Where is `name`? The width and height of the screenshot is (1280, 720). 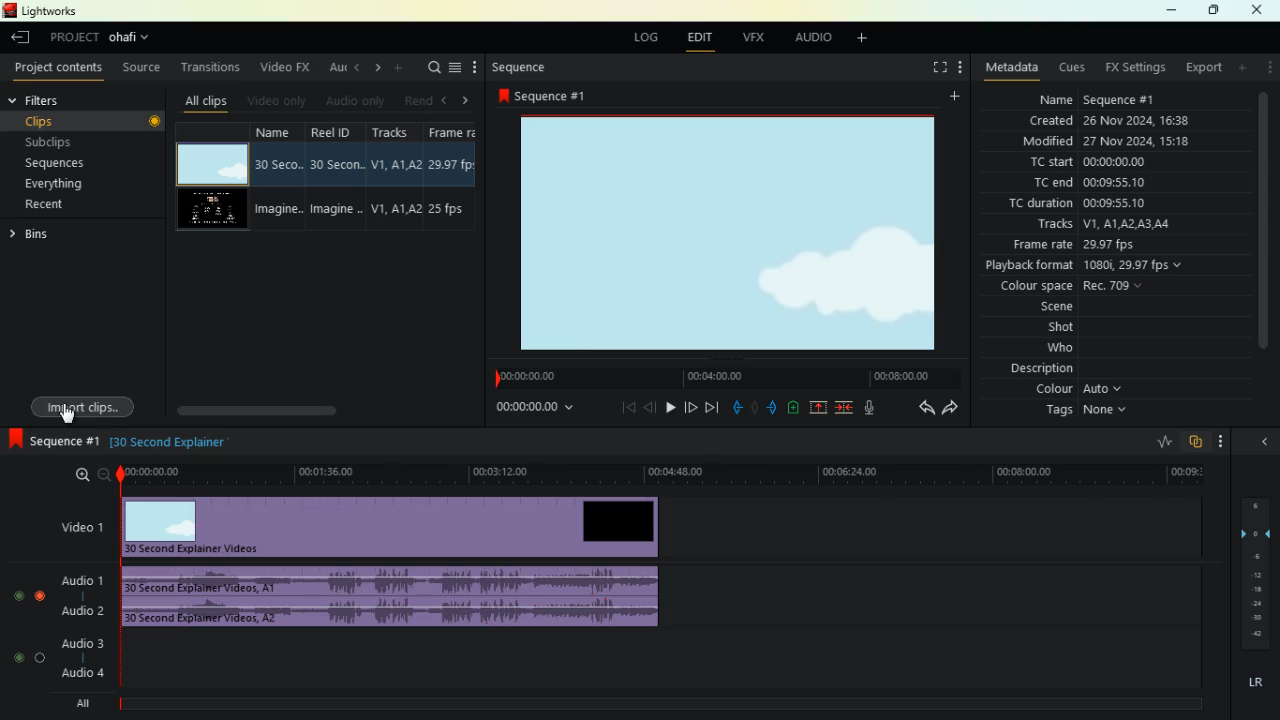 name is located at coordinates (282, 178).